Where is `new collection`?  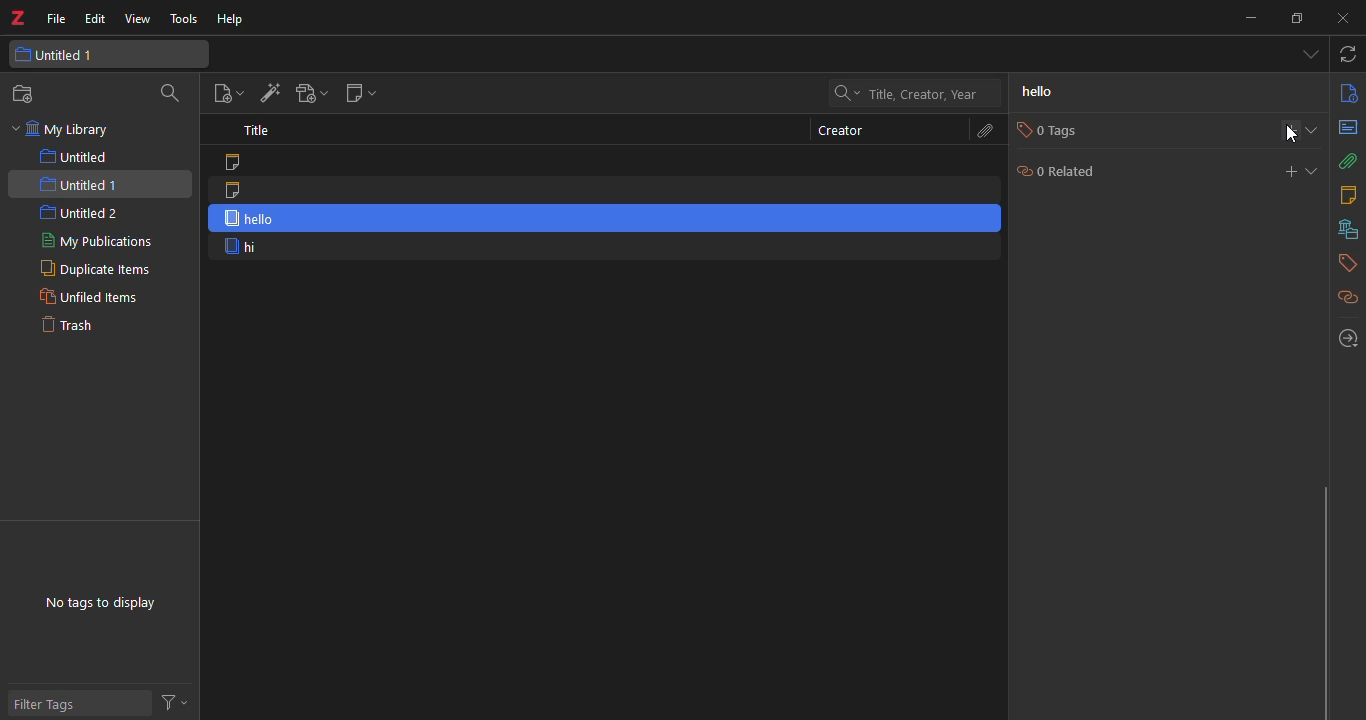 new collection is located at coordinates (24, 95).